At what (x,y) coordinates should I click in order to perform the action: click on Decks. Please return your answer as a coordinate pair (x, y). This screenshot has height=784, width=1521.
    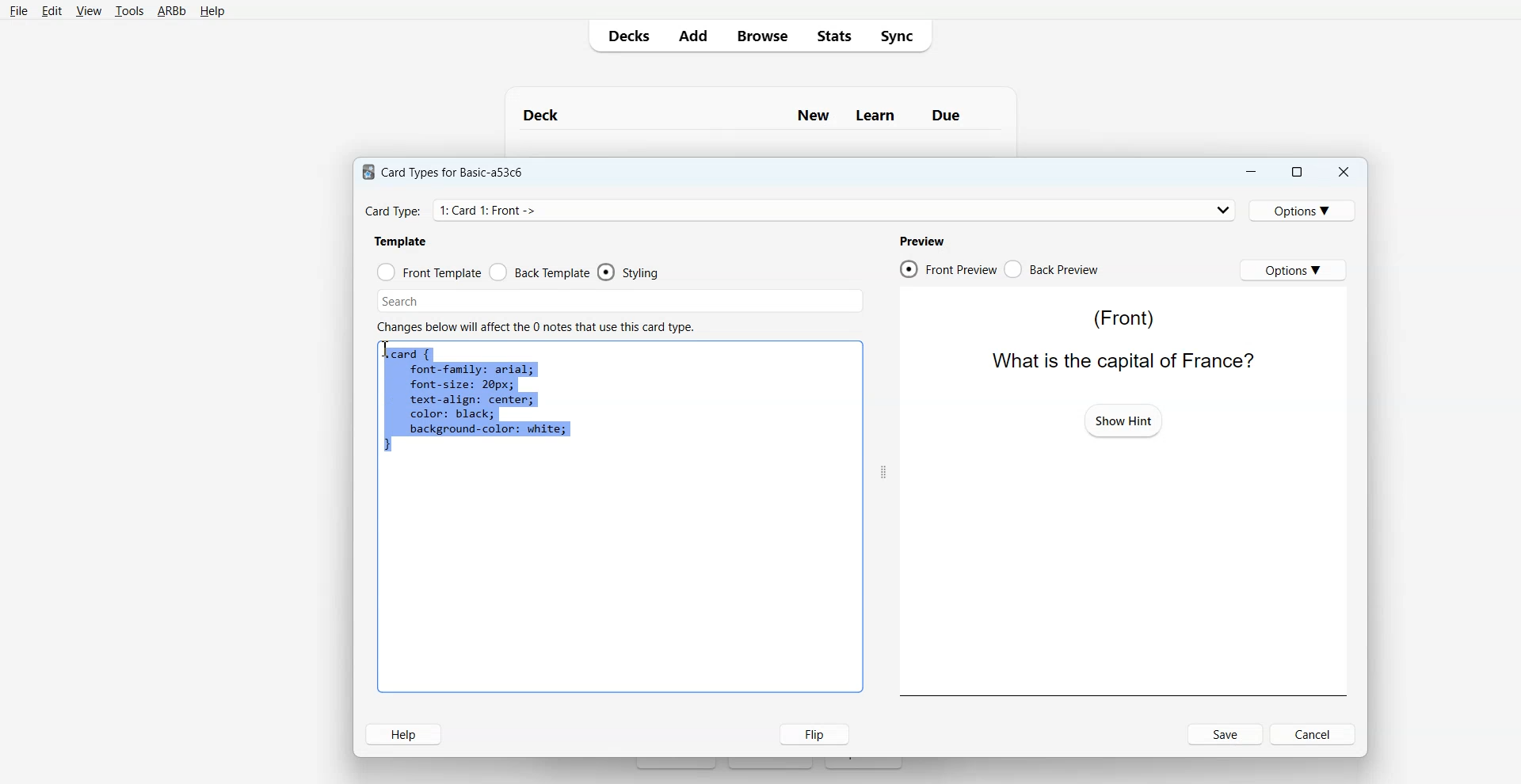
    Looking at the image, I should click on (625, 36).